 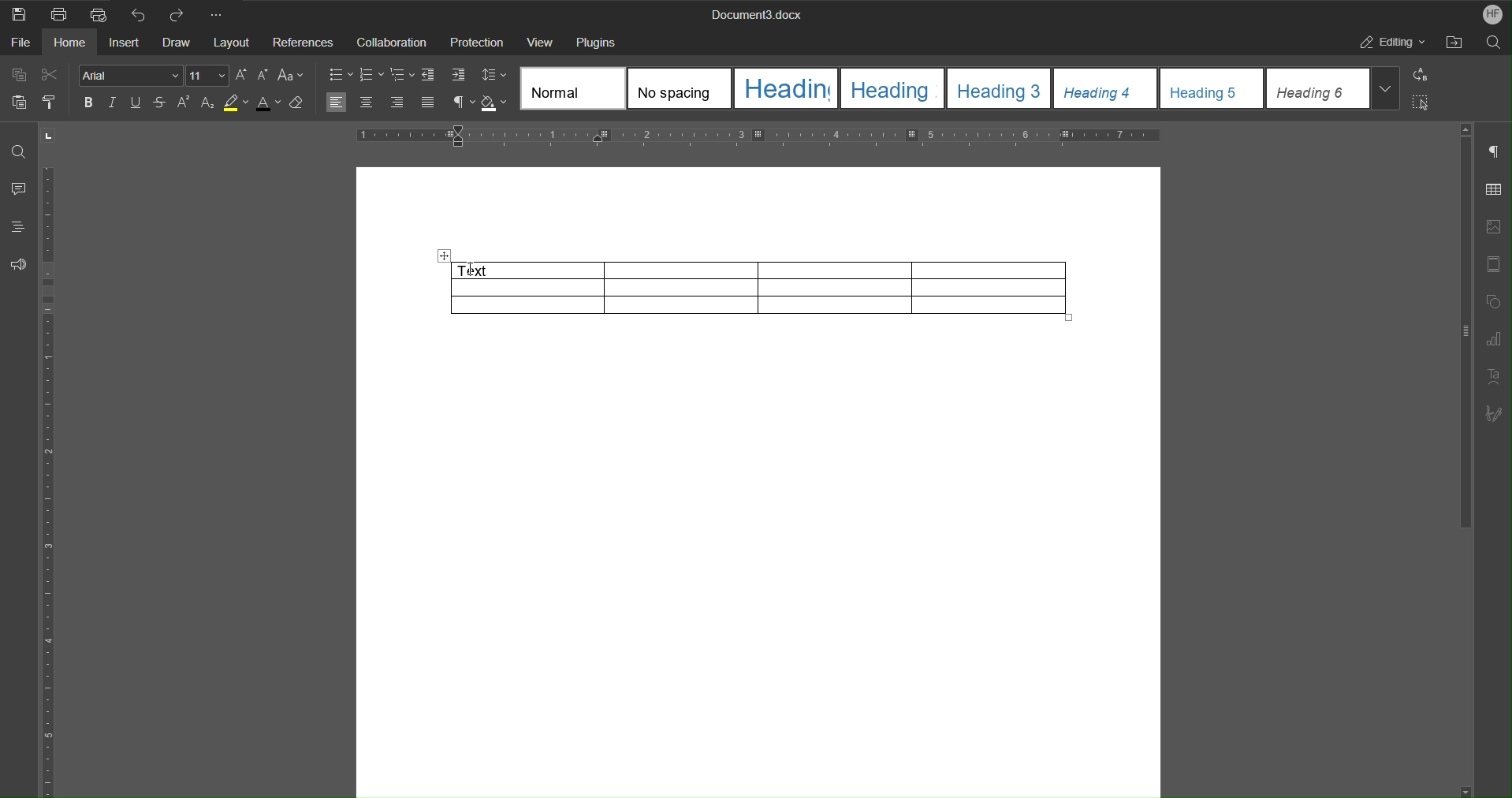 What do you see at coordinates (391, 42) in the screenshot?
I see `Collaboration` at bounding box center [391, 42].